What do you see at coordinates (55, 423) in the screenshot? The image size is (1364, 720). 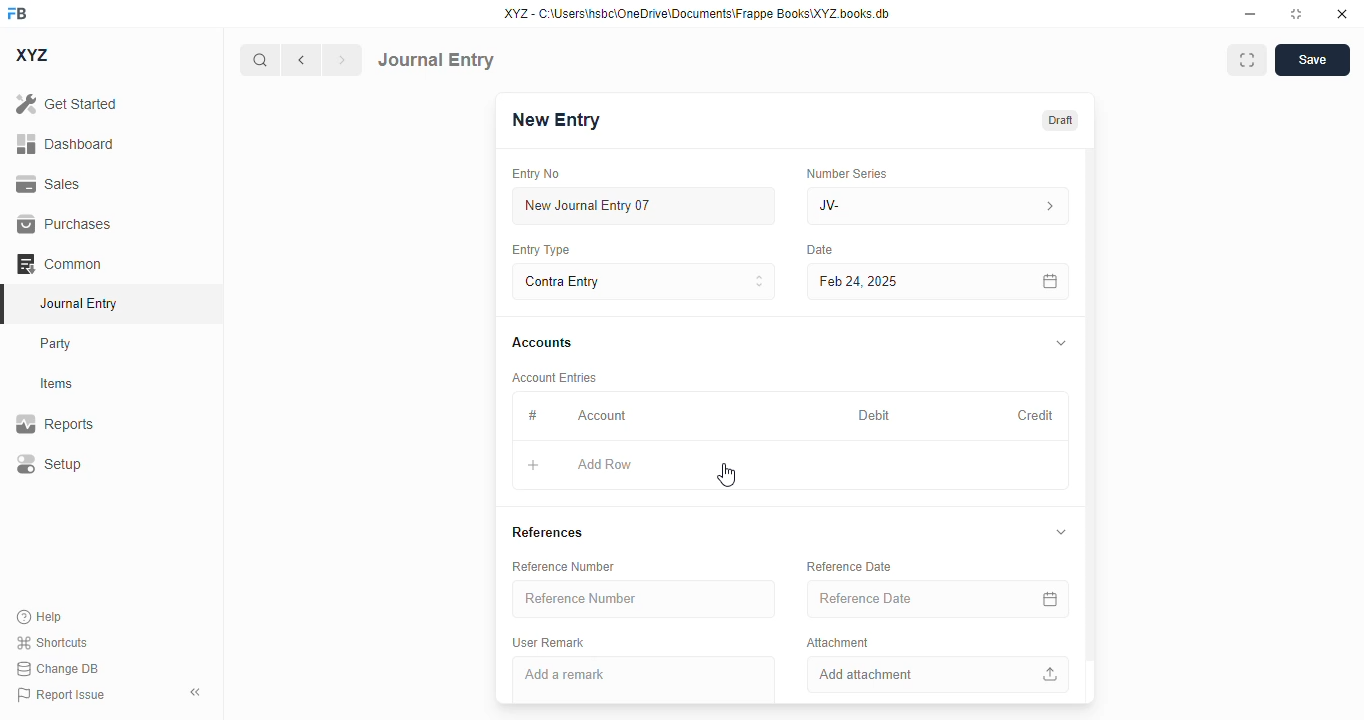 I see `reports` at bounding box center [55, 423].